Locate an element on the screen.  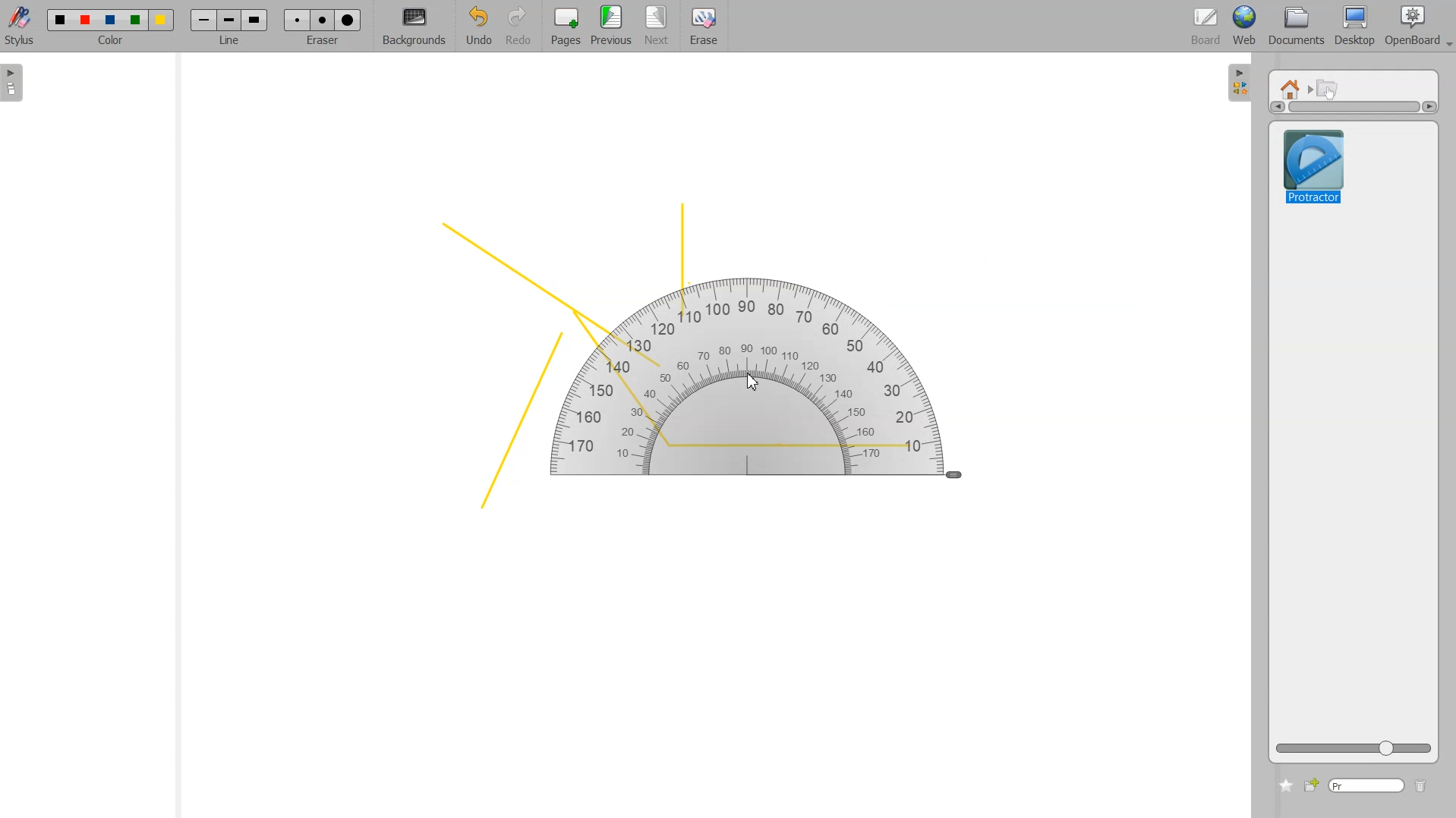
Sidebar is located at coordinates (1240, 81).